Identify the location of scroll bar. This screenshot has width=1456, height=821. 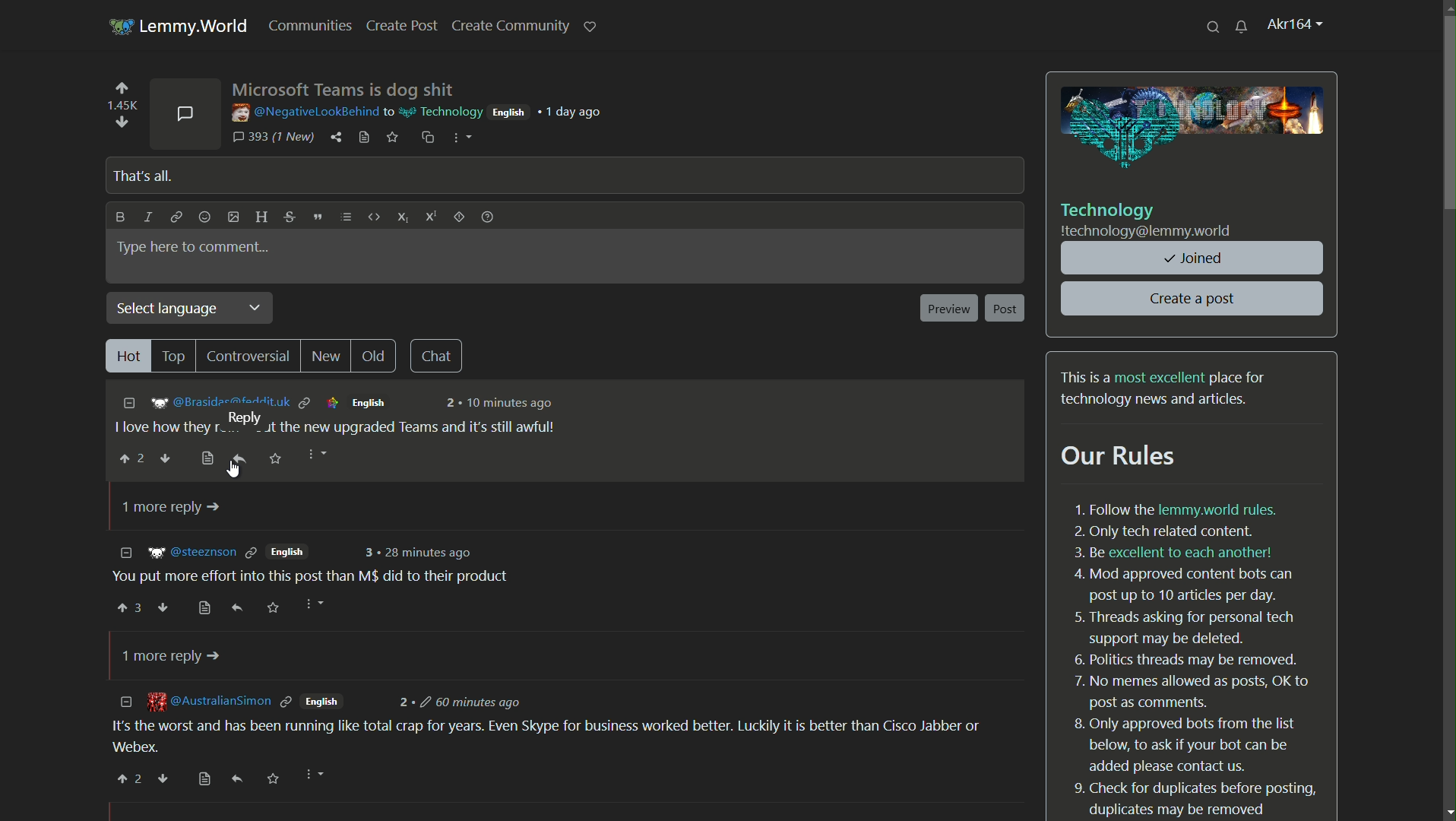
(1449, 125).